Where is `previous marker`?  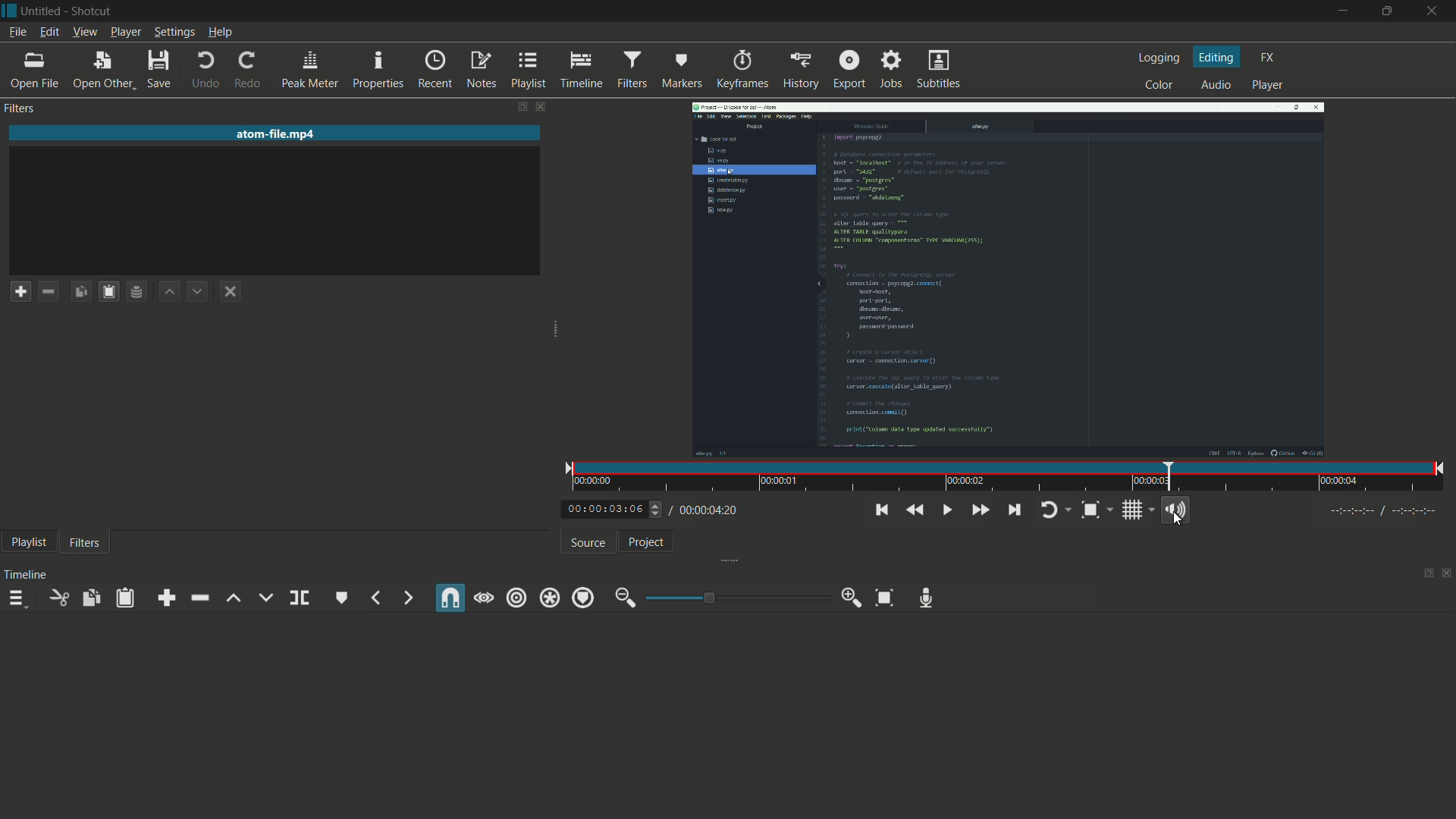 previous marker is located at coordinates (376, 598).